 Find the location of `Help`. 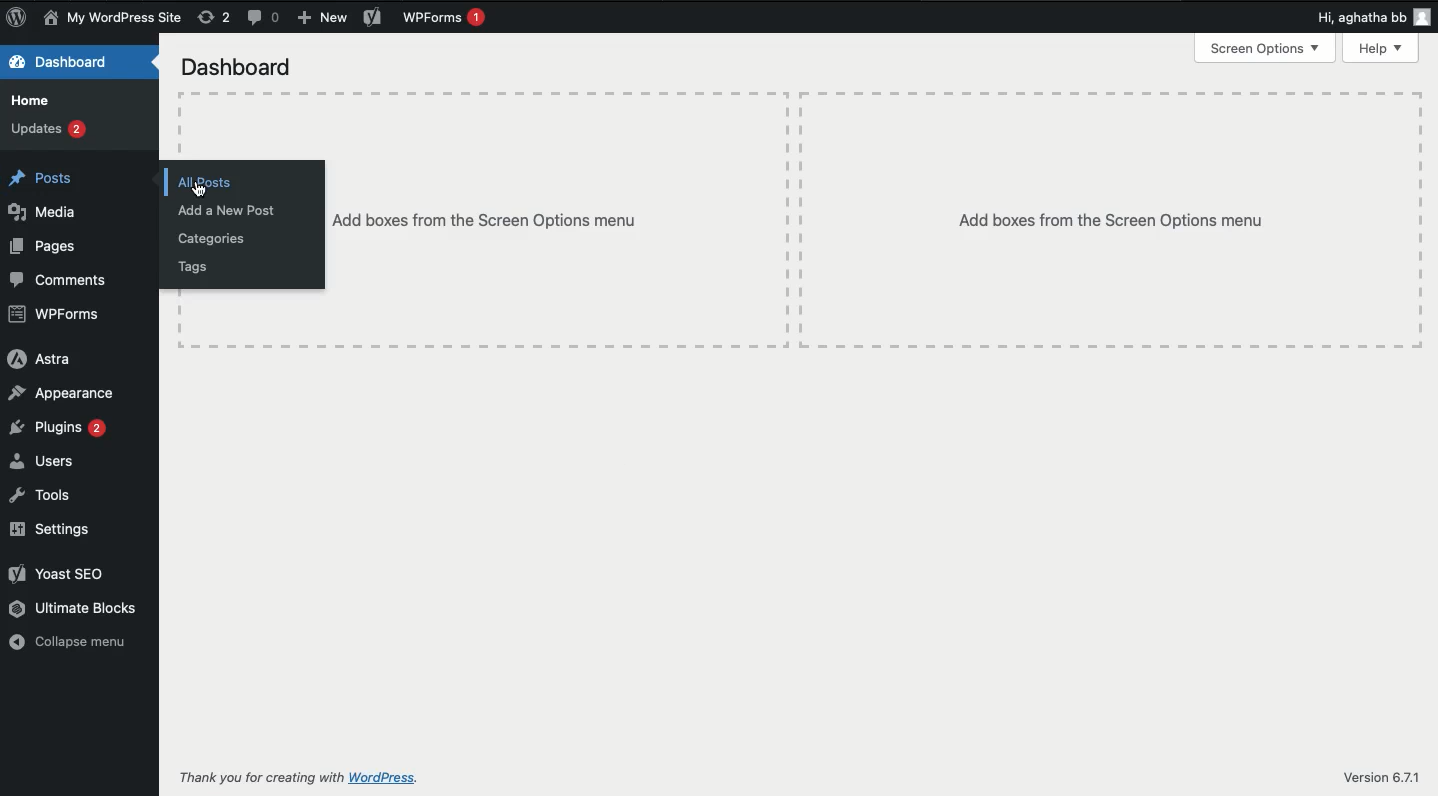

Help is located at coordinates (1382, 50).